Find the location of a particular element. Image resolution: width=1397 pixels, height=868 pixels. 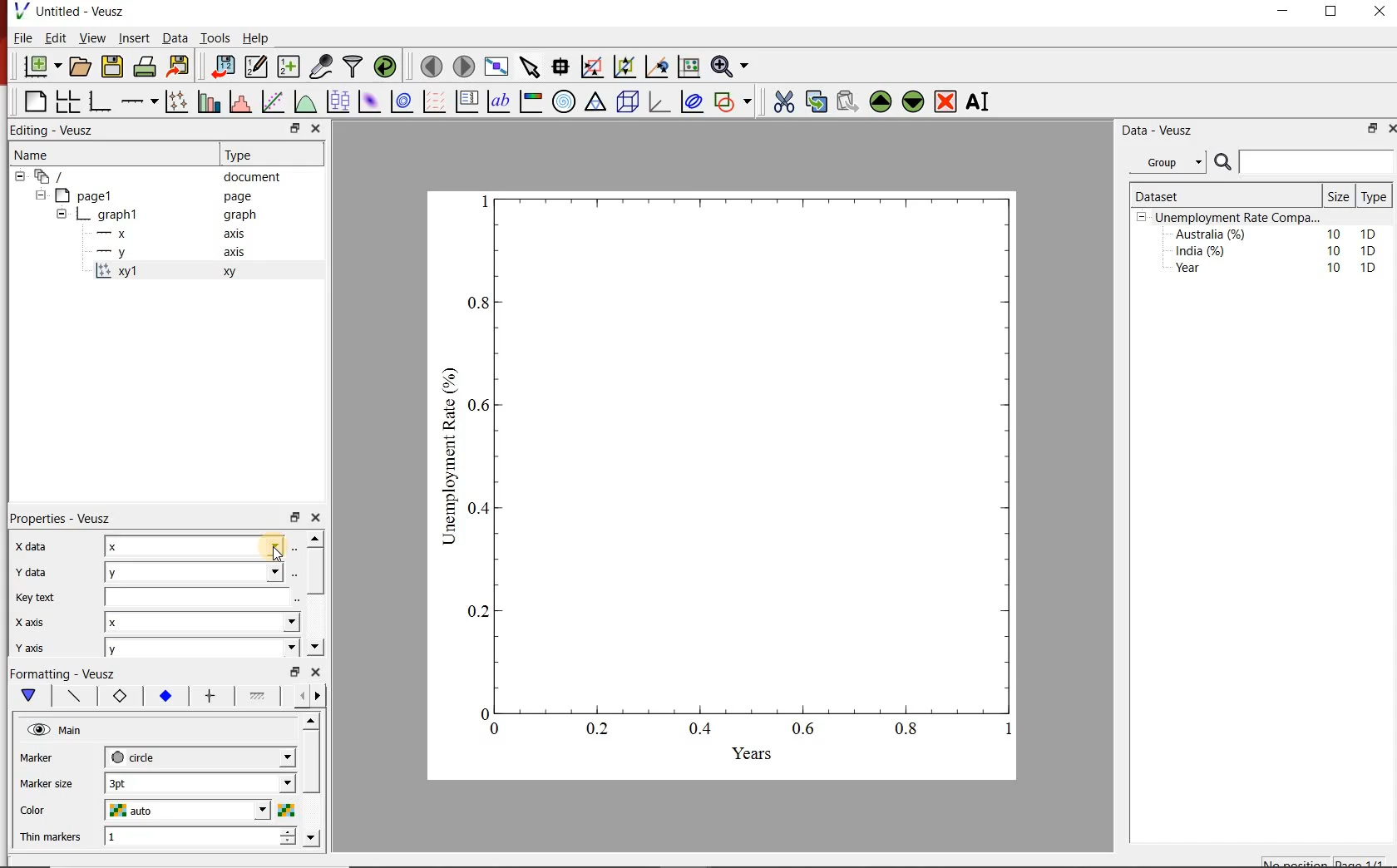

minimise is located at coordinates (1371, 128).